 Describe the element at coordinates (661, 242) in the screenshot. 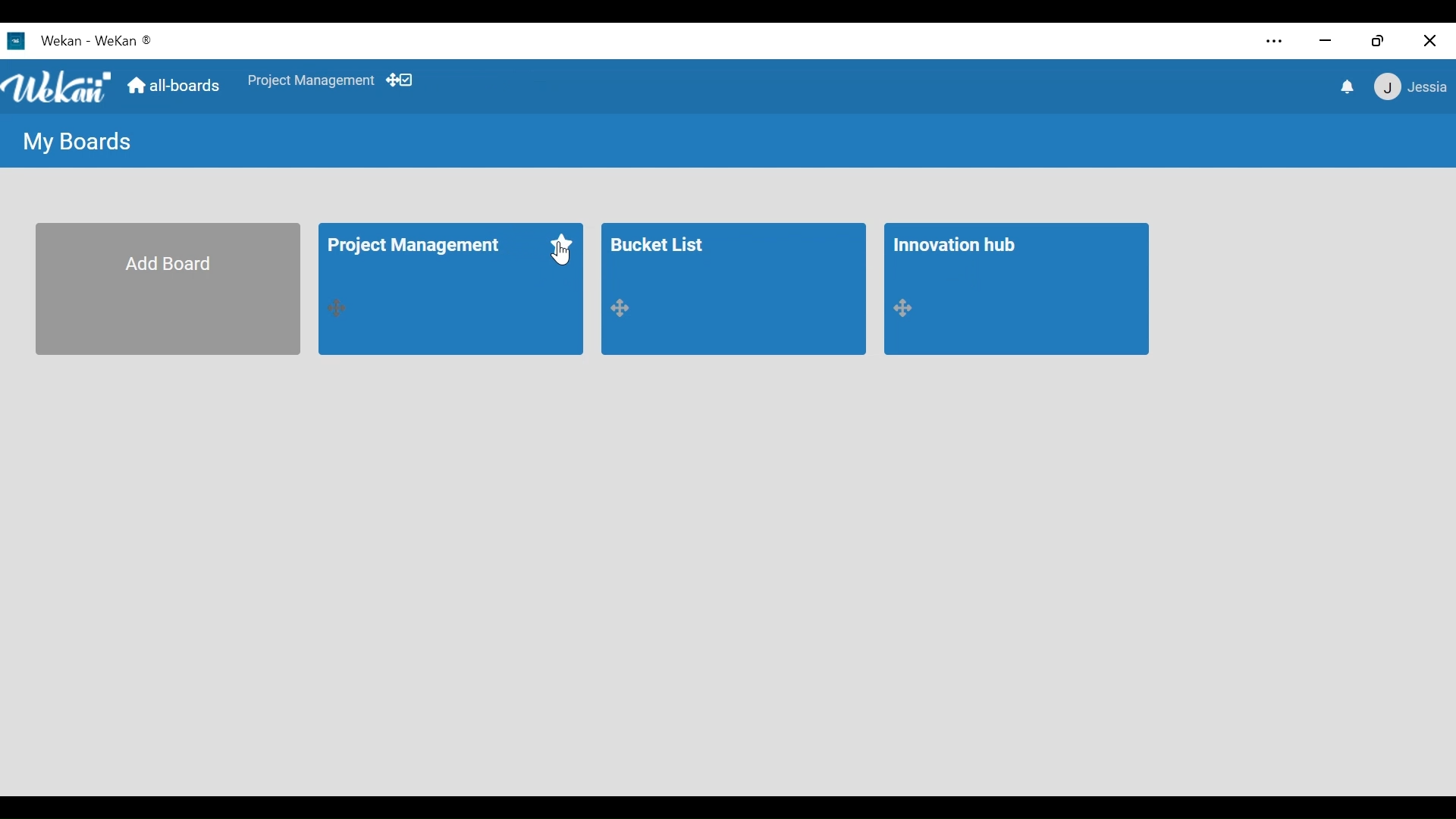

I see `Board Title` at that location.